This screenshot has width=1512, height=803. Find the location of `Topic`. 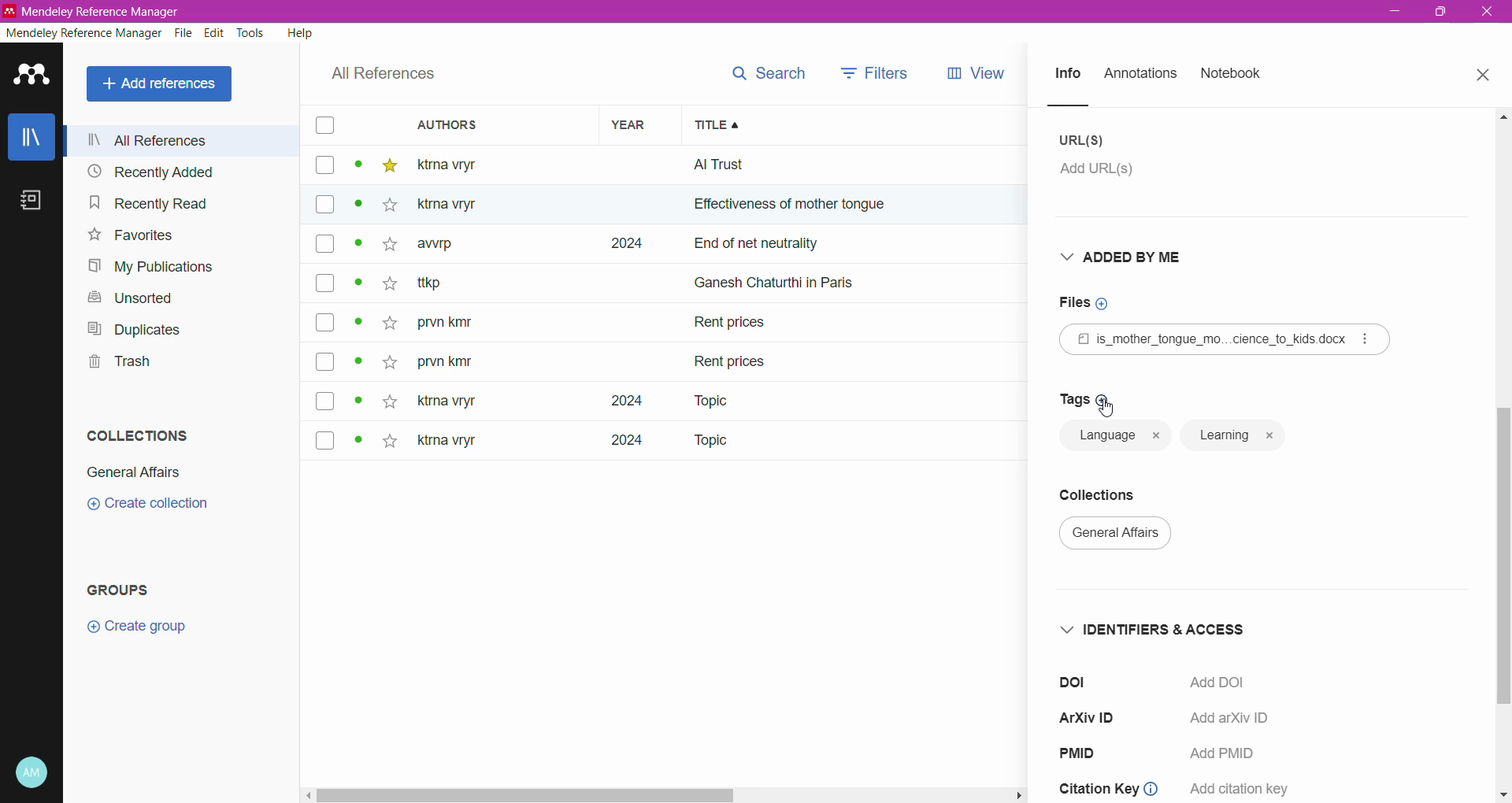

Topic is located at coordinates (700, 401).